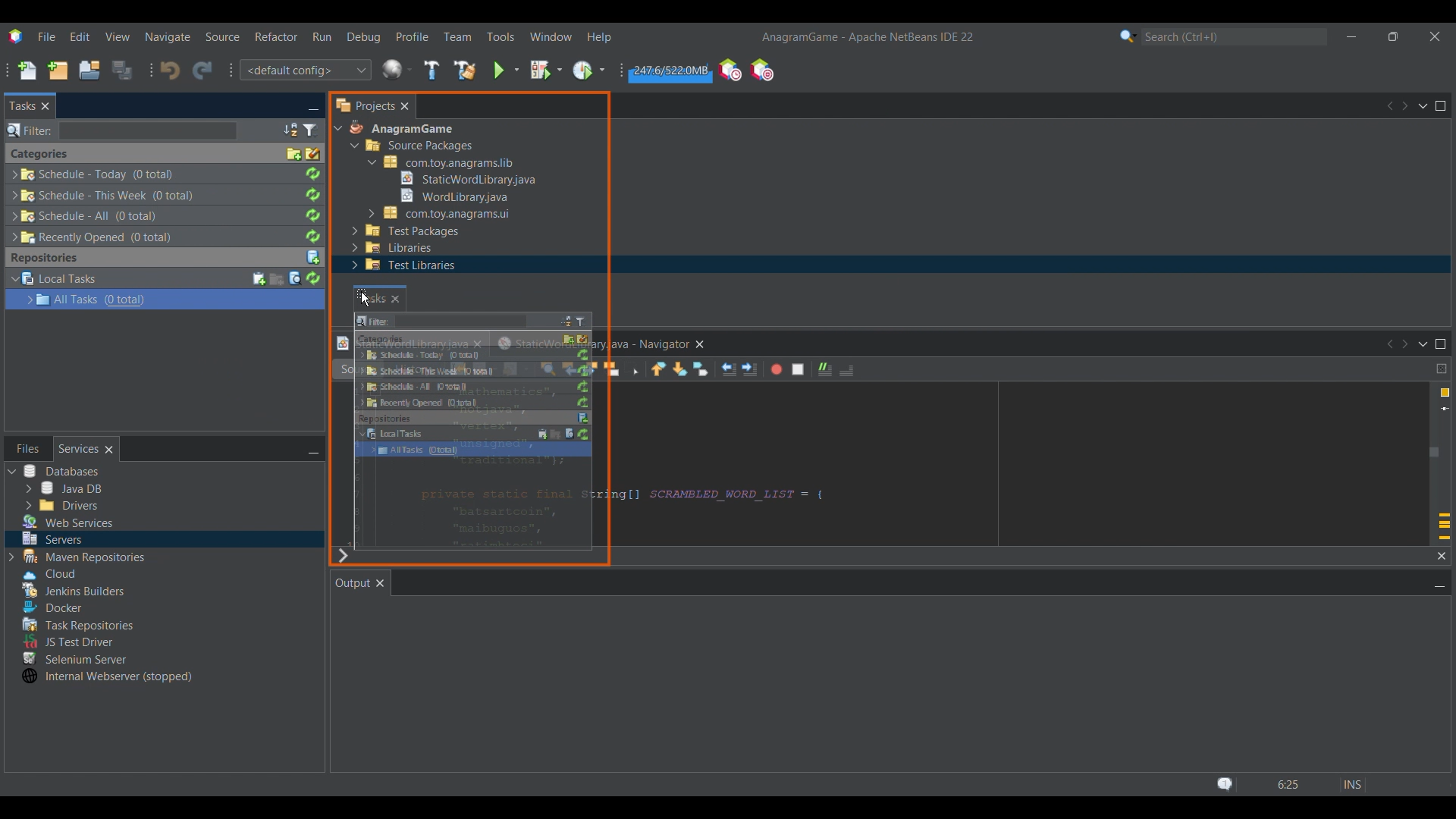 The height and width of the screenshot is (819, 1456). What do you see at coordinates (313, 258) in the screenshot?
I see `Add repository` at bounding box center [313, 258].